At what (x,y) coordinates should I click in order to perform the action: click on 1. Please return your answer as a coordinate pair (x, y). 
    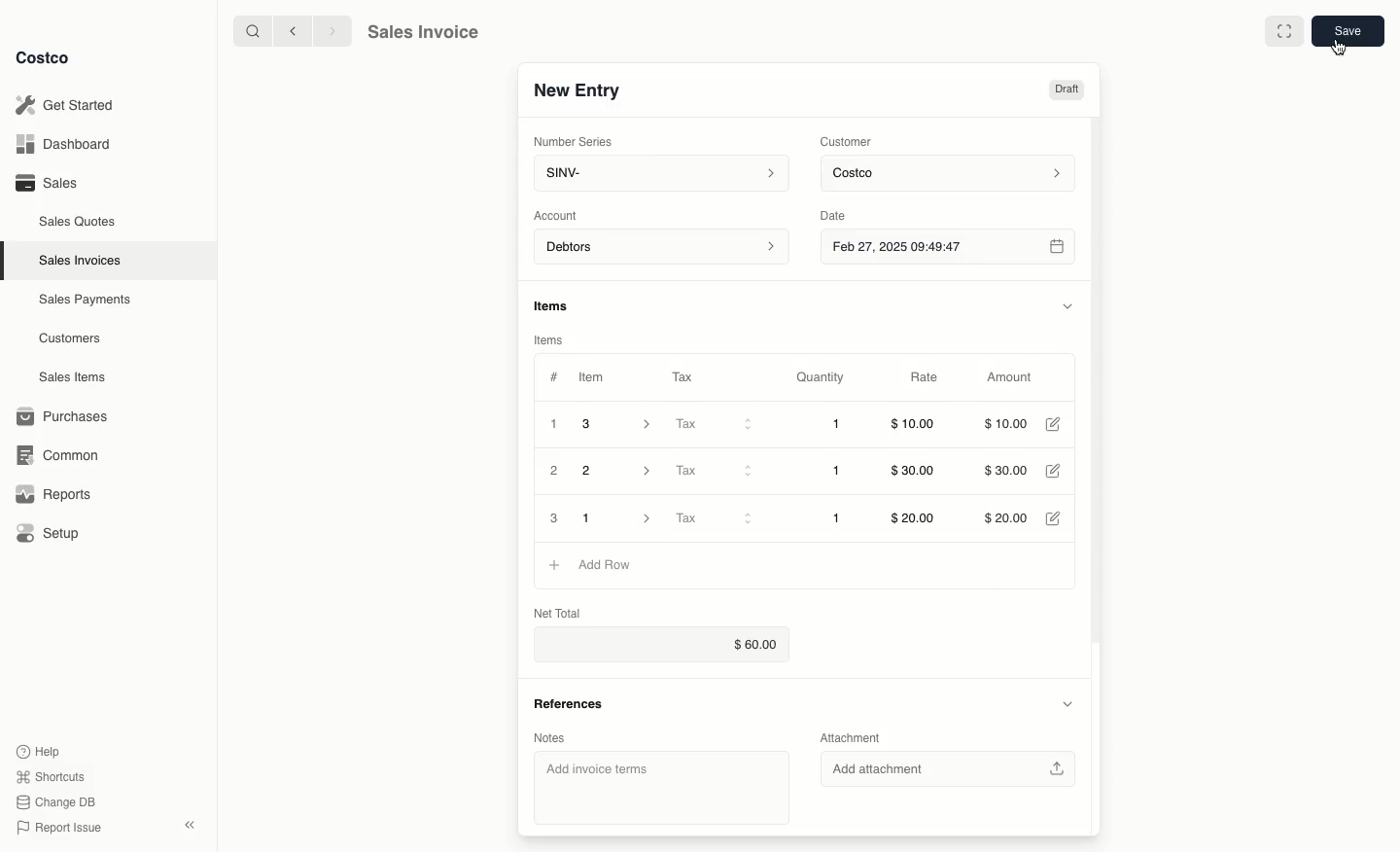
    Looking at the image, I should click on (836, 518).